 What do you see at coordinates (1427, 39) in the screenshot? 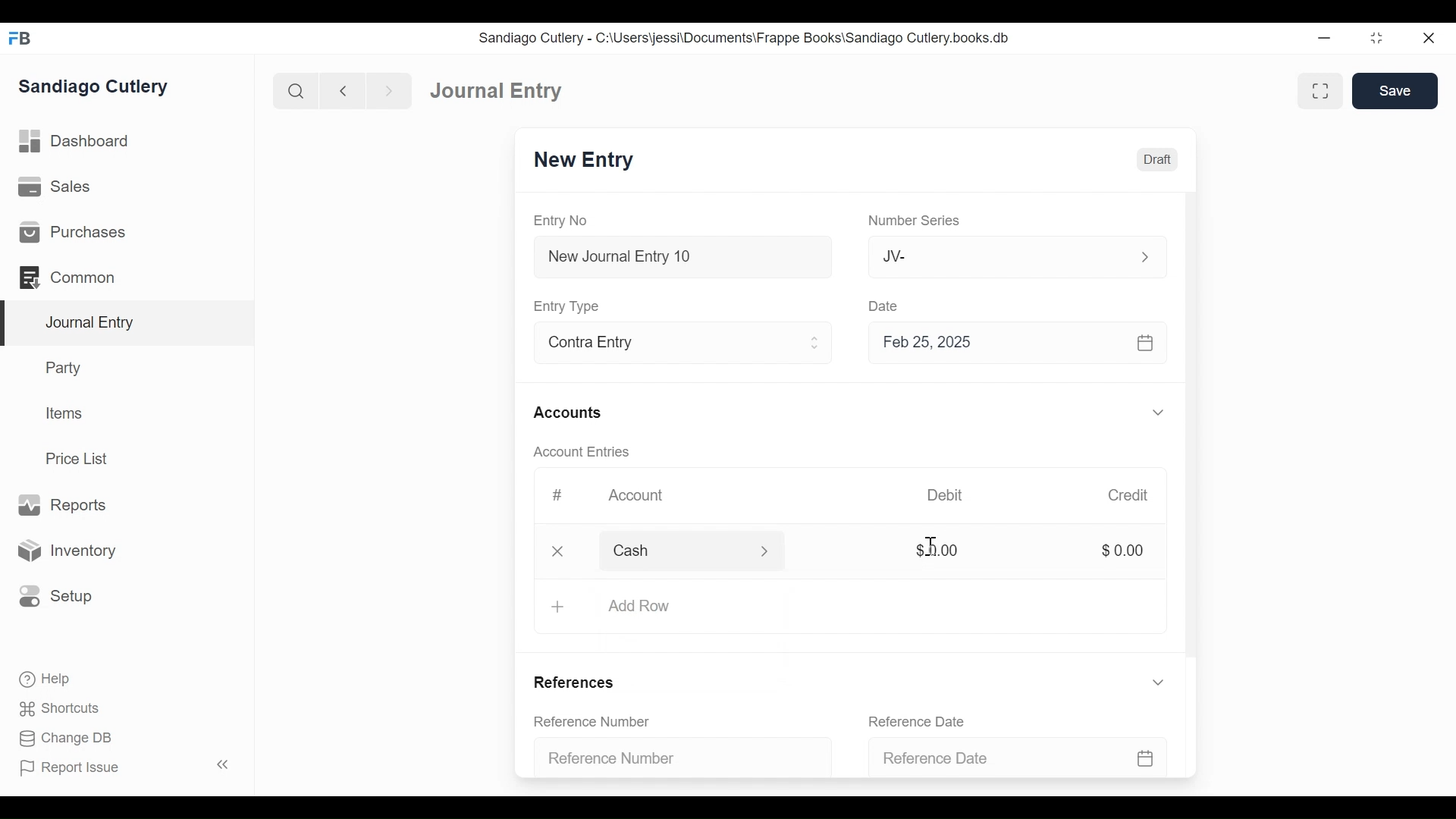
I see `Close` at bounding box center [1427, 39].